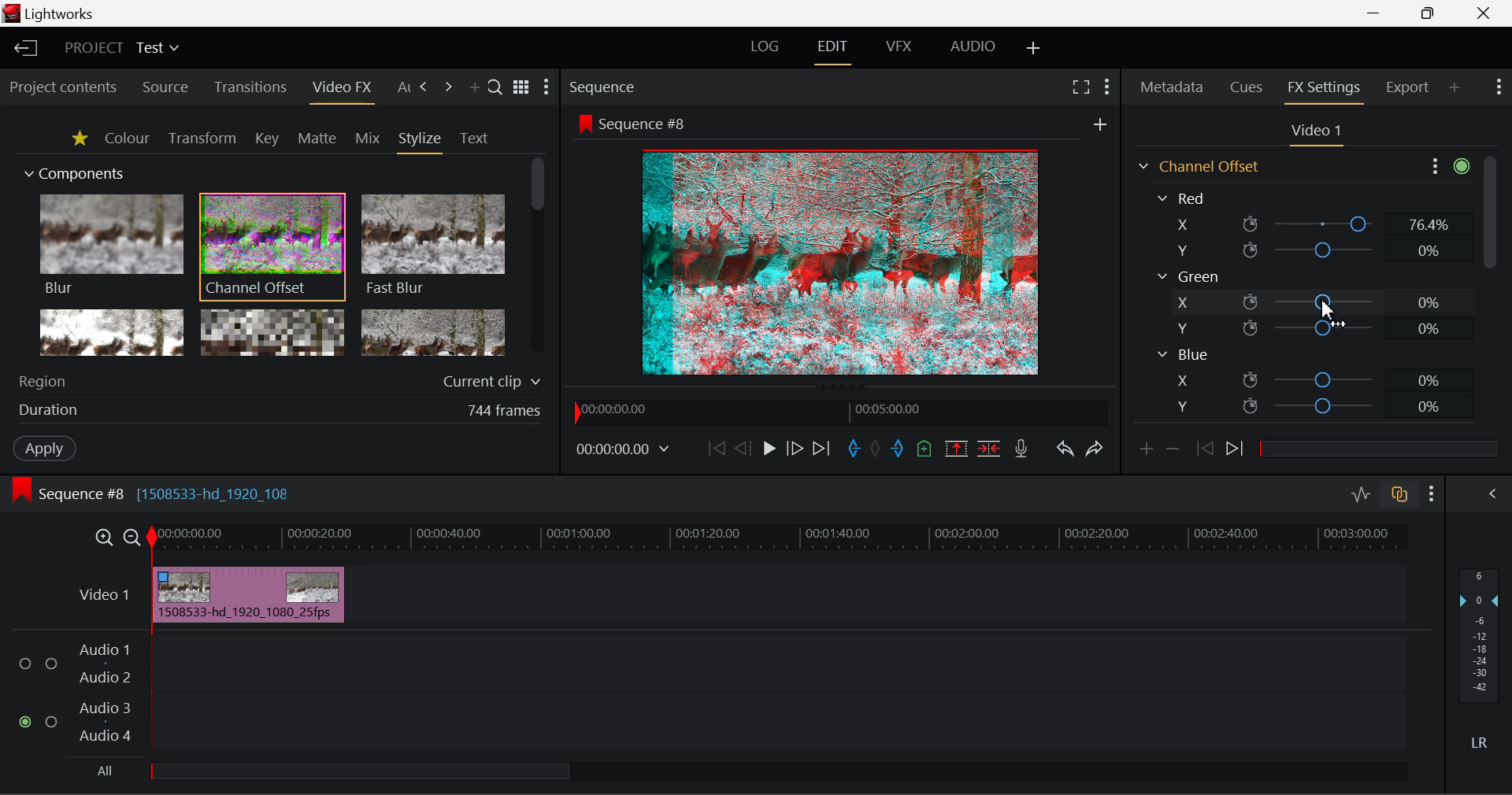 The width and height of the screenshot is (1512, 795). I want to click on FX Settings, so click(1325, 89).